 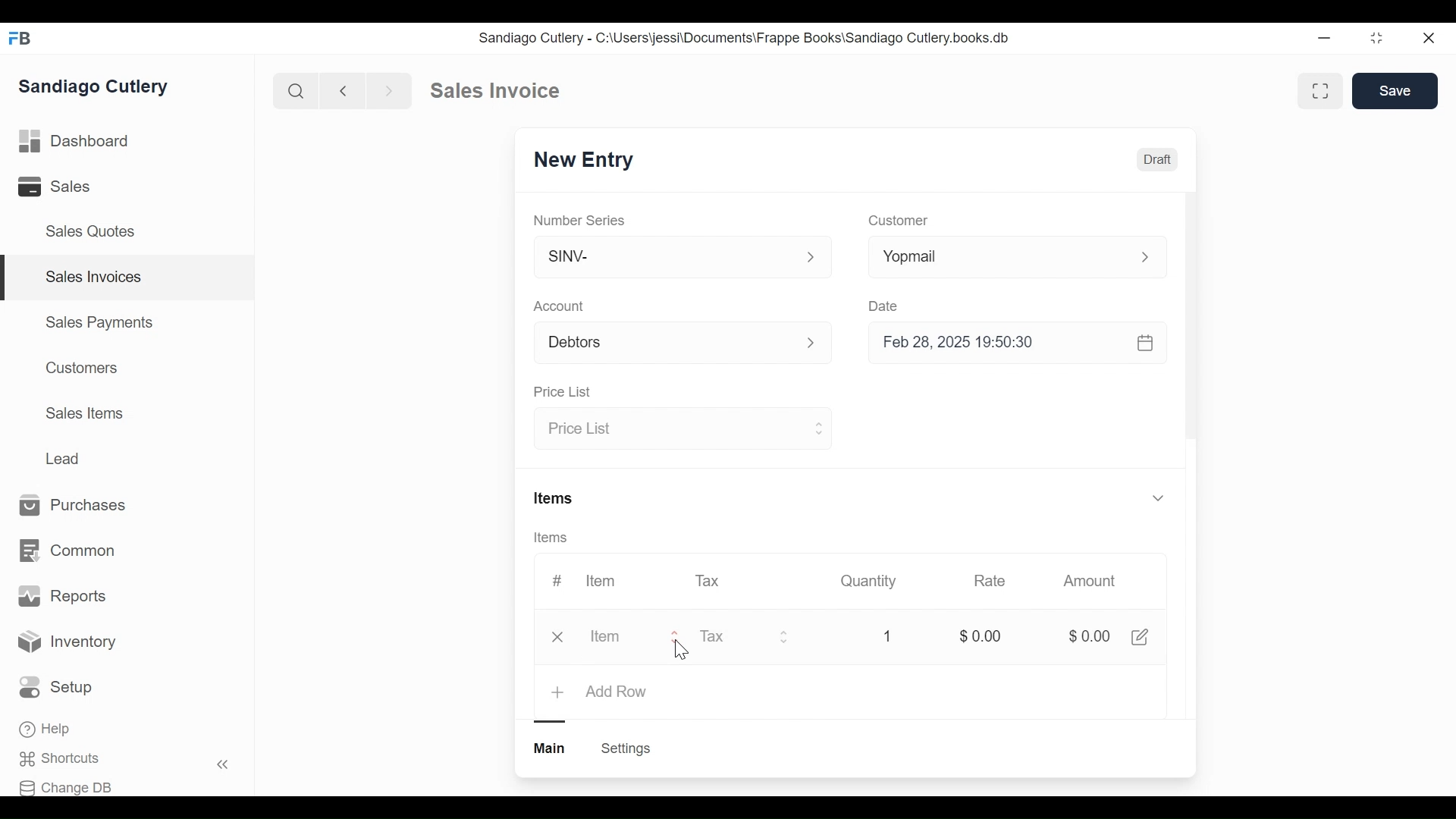 I want to click on Sandiago Cutlery, so click(x=98, y=86).